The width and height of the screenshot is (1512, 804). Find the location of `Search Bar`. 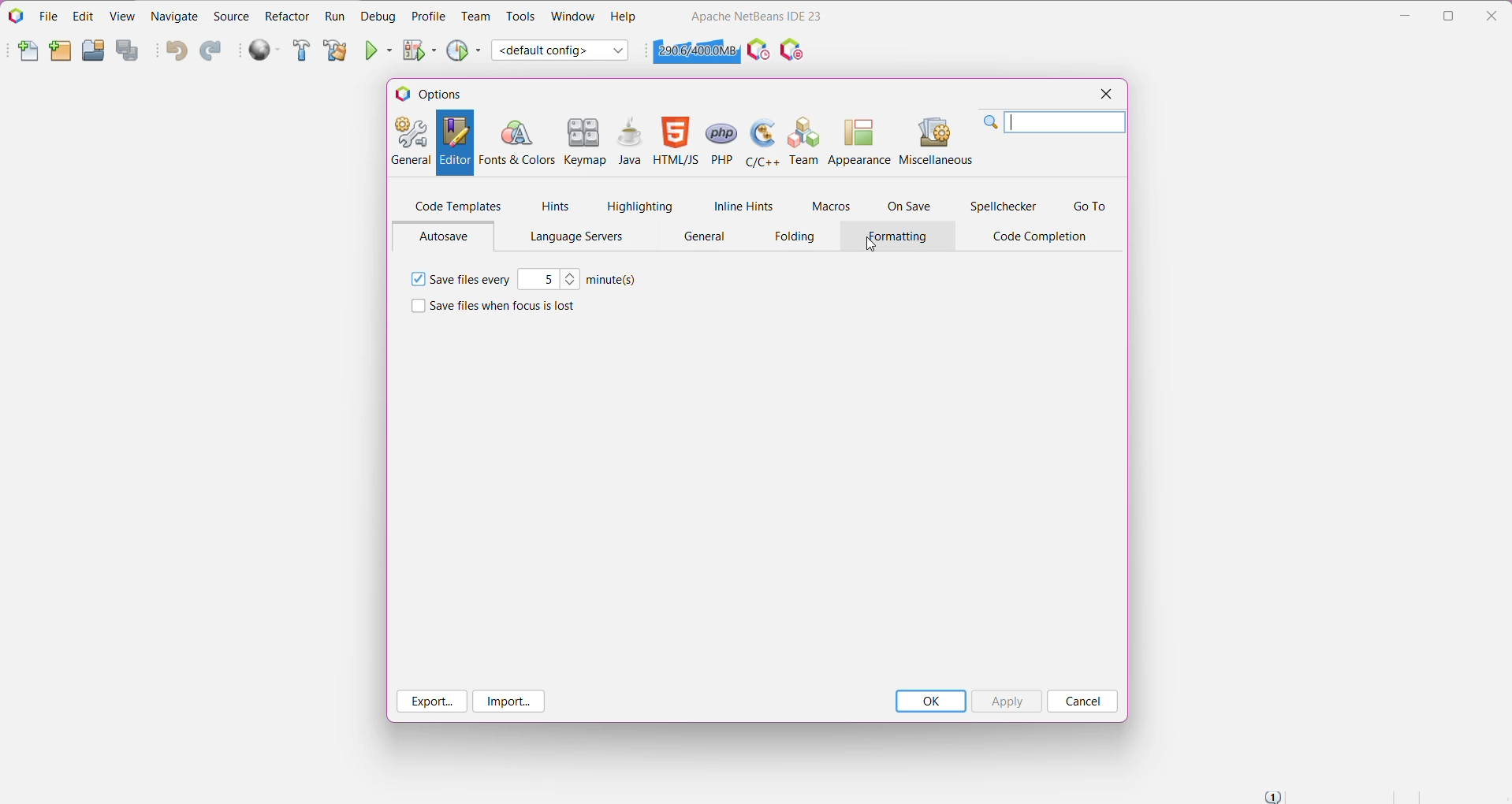

Search Bar is located at coordinates (1056, 122).